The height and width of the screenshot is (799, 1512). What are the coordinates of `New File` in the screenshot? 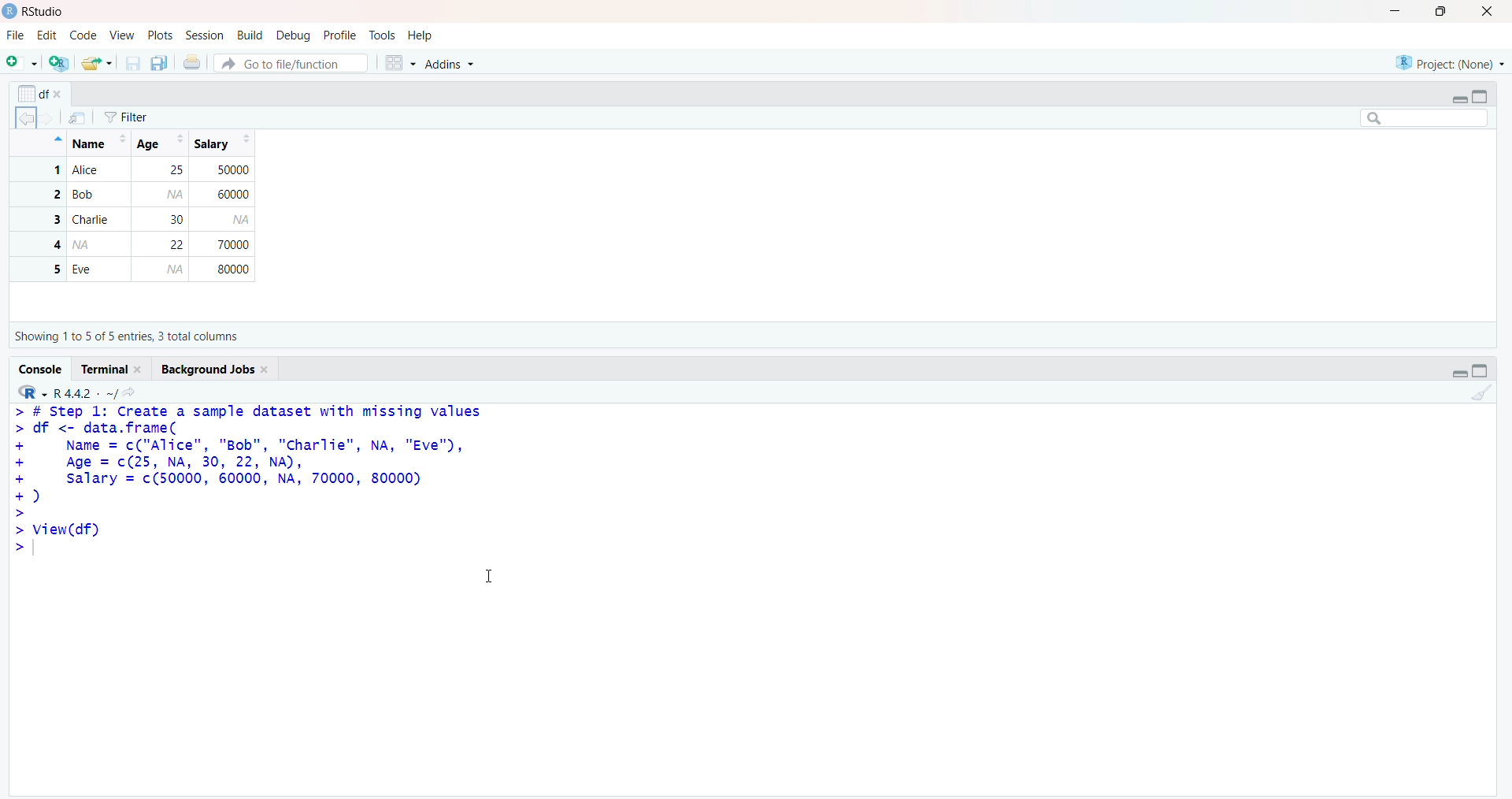 It's located at (21, 63).